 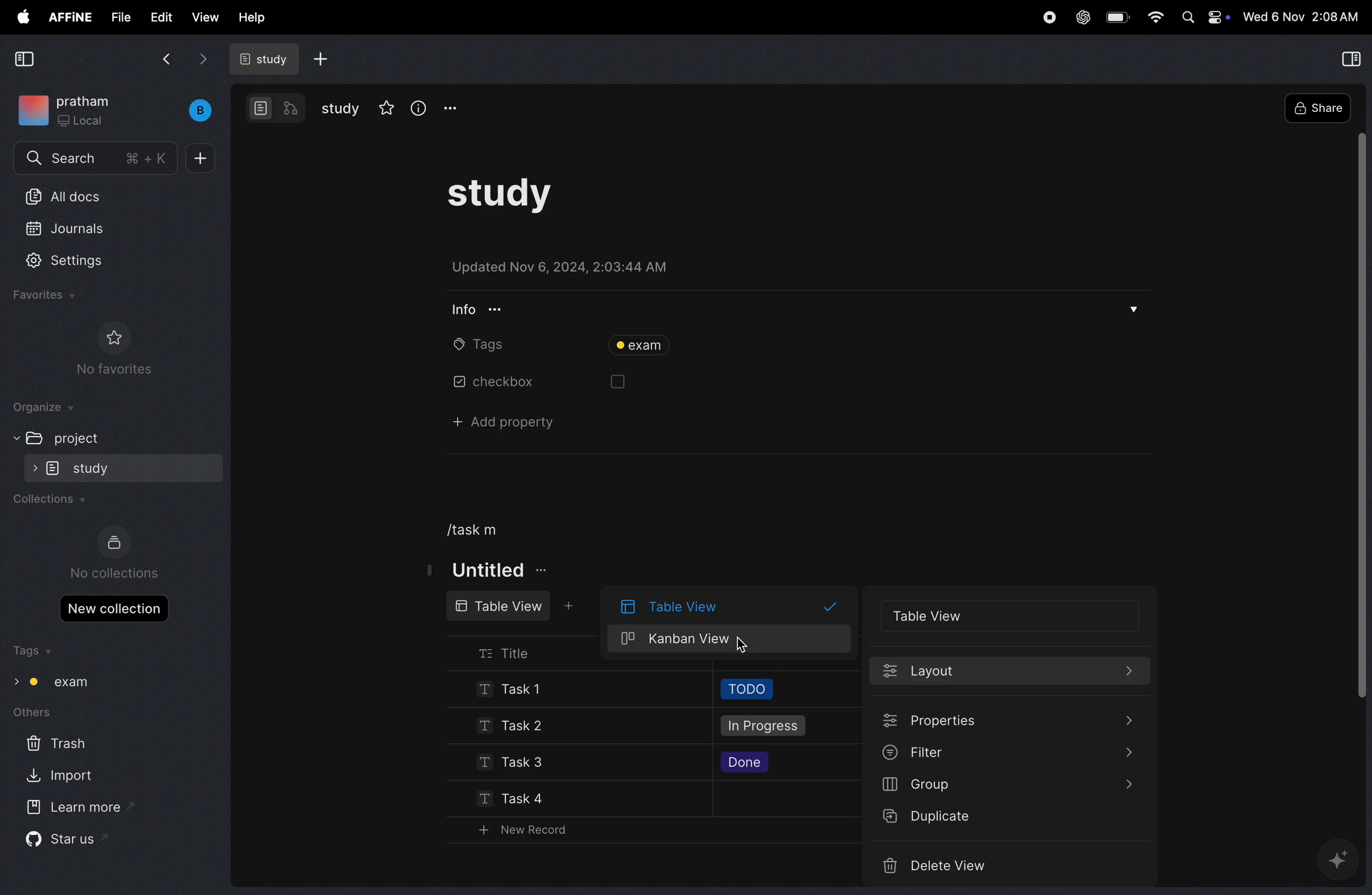 What do you see at coordinates (1115, 17) in the screenshot?
I see `battery` at bounding box center [1115, 17].